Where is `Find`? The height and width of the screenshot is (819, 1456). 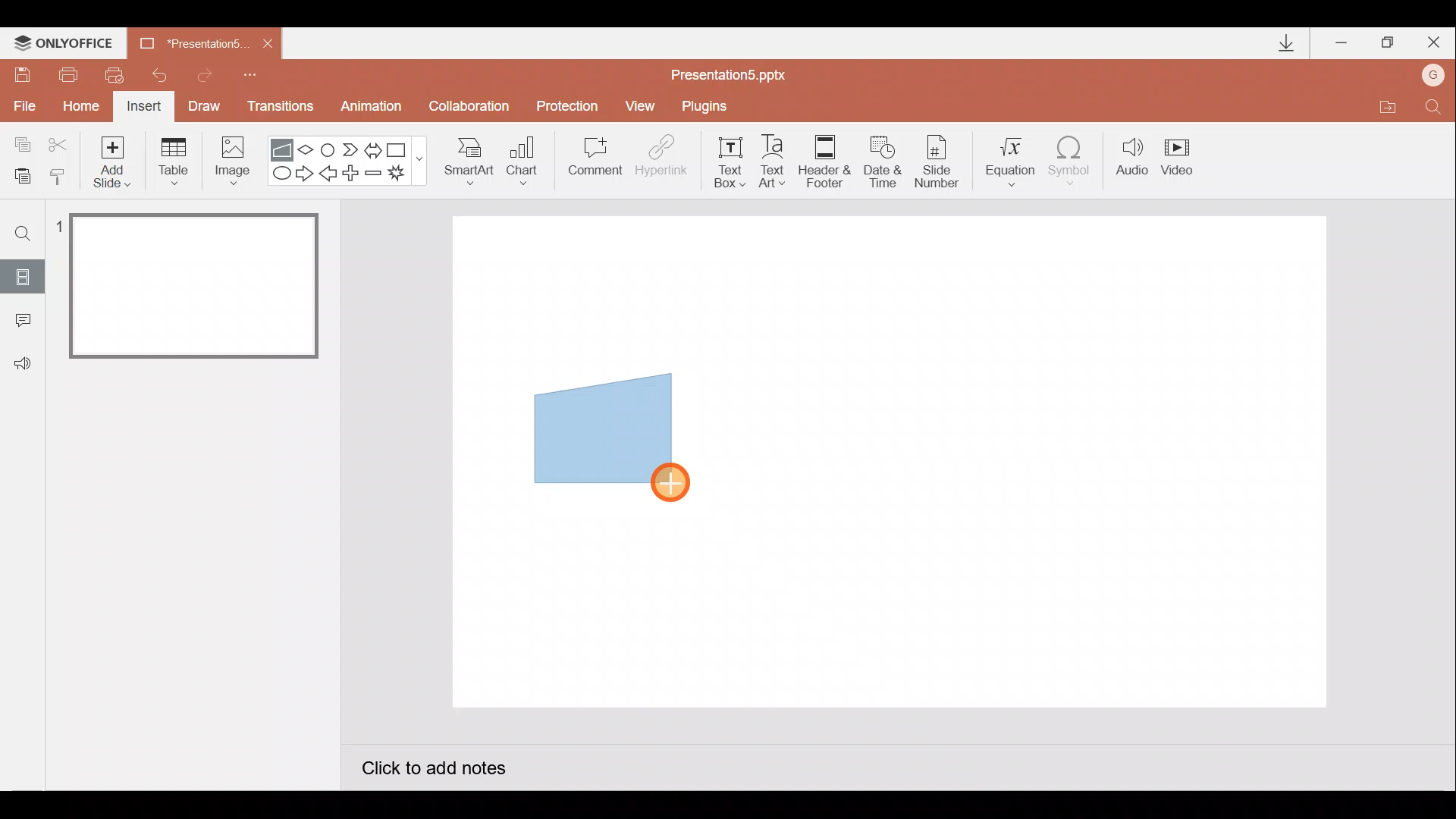
Find is located at coordinates (24, 233).